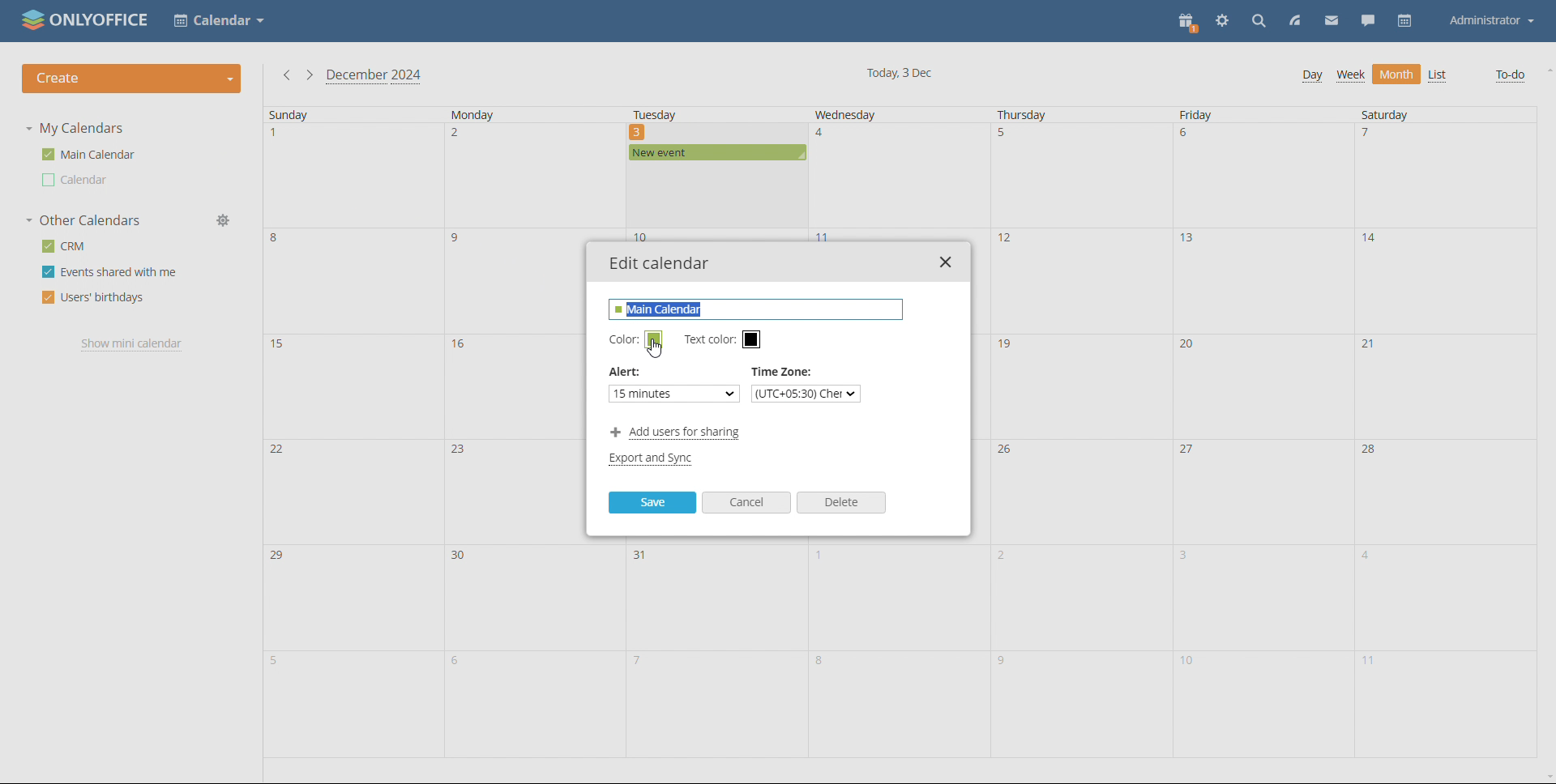 The width and height of the screenshot is (1556, 784). What do you see at coordinates (1368, 22) in the screenshot?
I see `chat` at bounding box center [1368, 22].